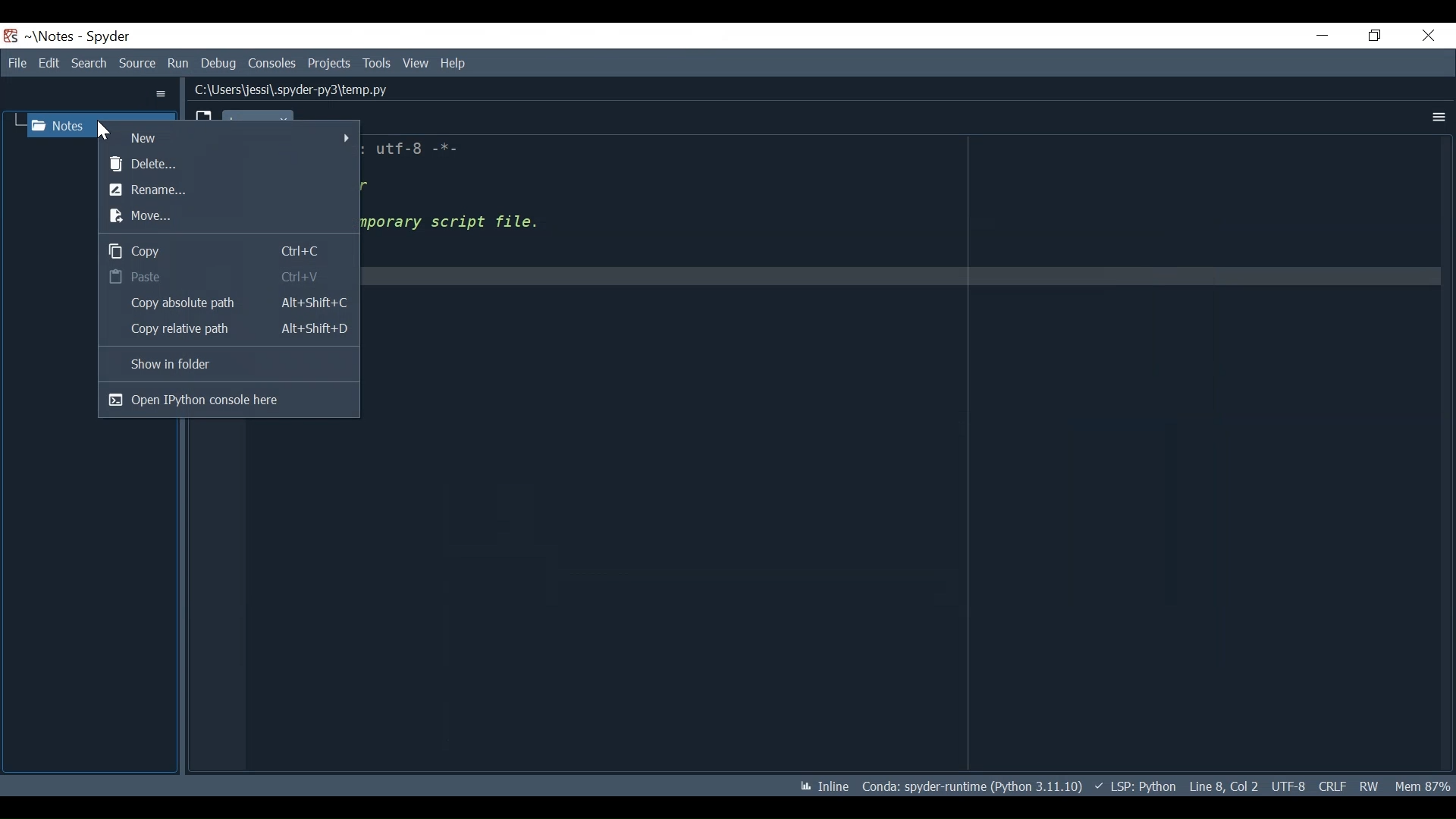 The height and width of the screenshot is (819, 1456). I want to click on Open IPython console ere, so click(228, 400).